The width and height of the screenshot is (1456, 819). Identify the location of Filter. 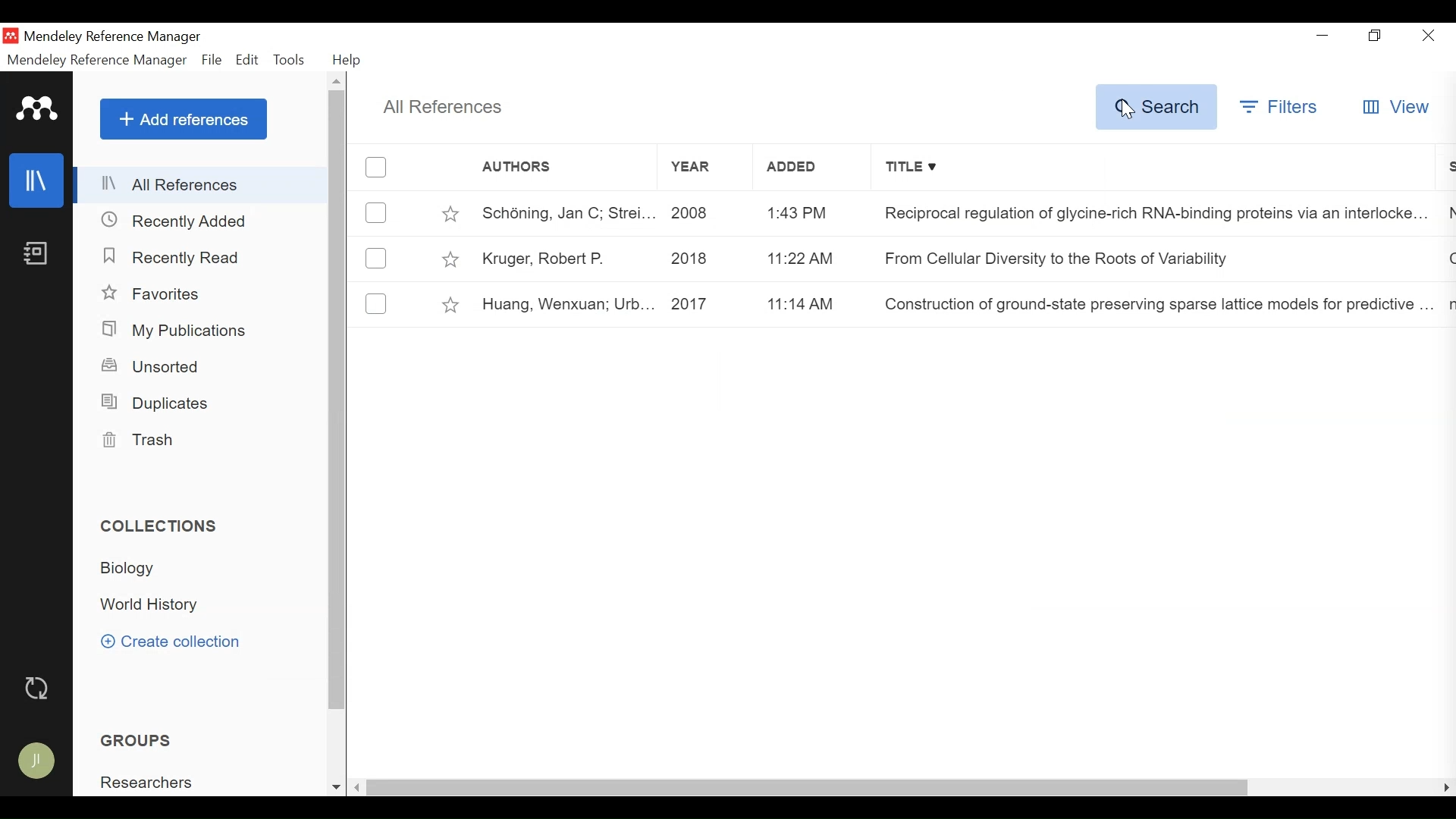
(1280, 109).